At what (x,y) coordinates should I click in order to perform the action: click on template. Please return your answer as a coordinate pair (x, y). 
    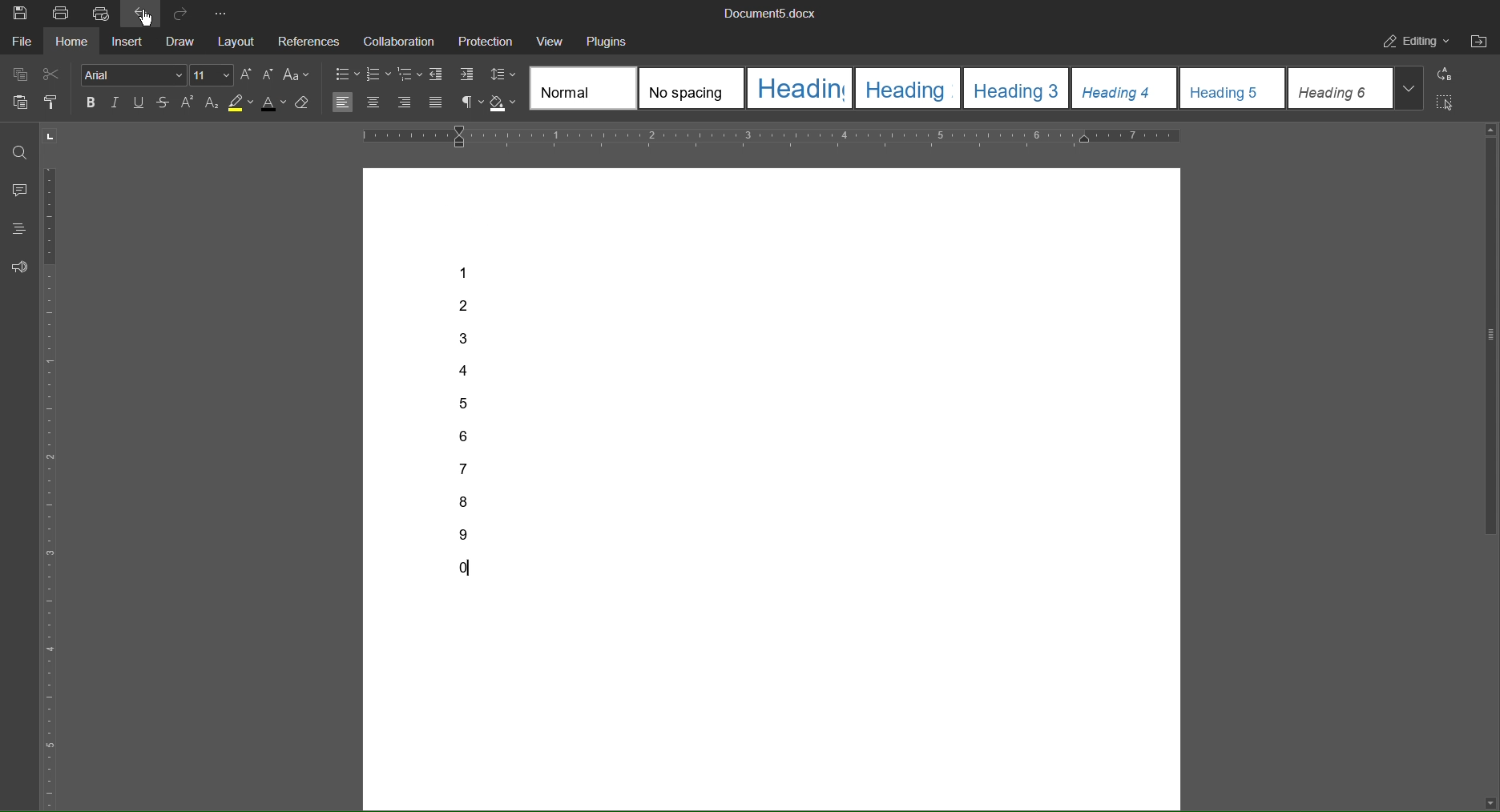
    Looking at the image, I should click on (1016, 88).